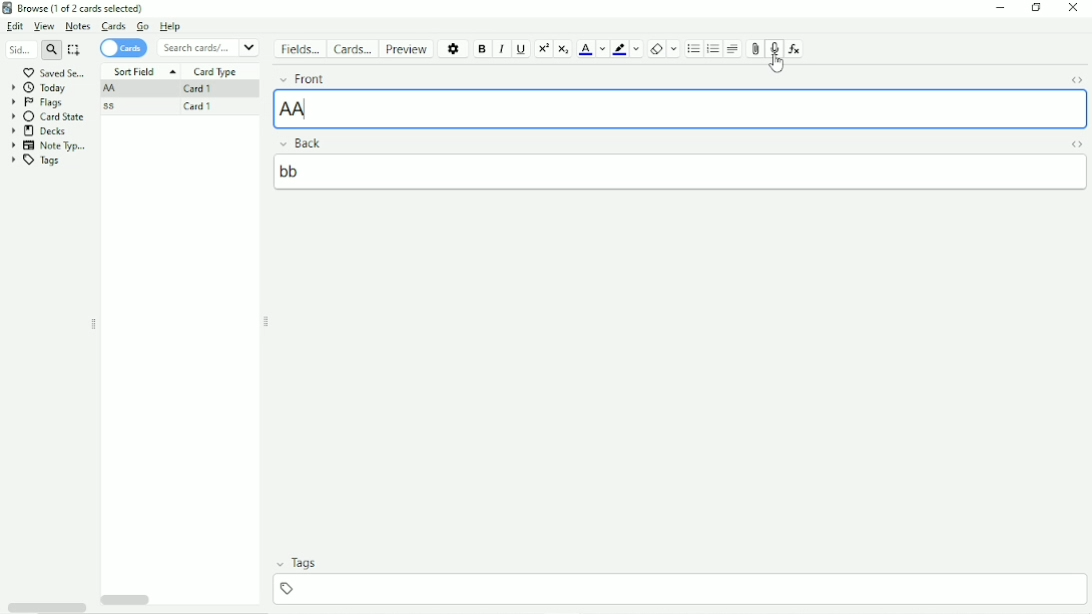 The image size is (1092, 614). What do you see at coordinates (40, 131) in the screenshot?
I see `Decks` at bounding box center [40, 131].